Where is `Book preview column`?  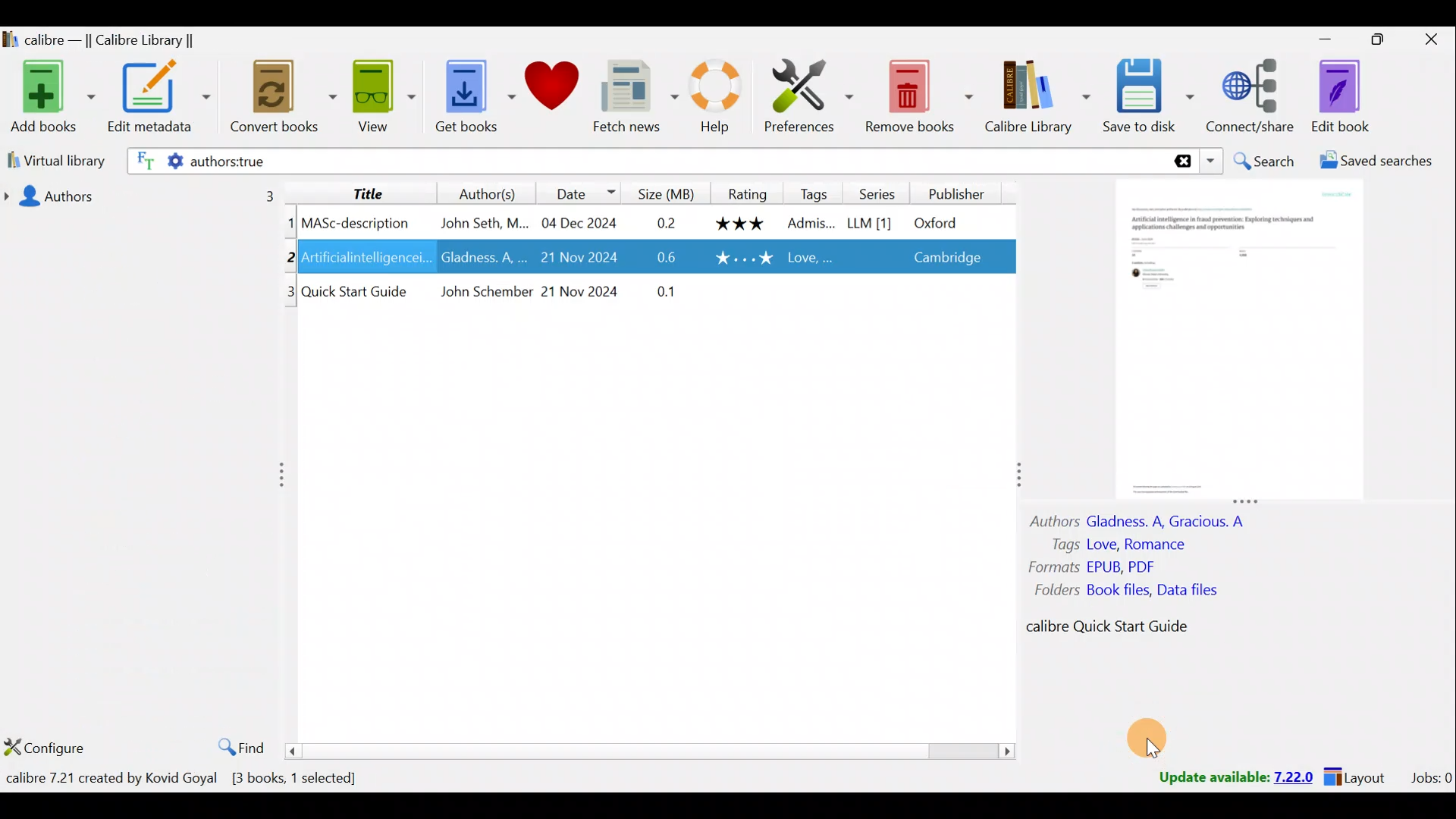
Book preview column is located at coordinates (1239, 409).